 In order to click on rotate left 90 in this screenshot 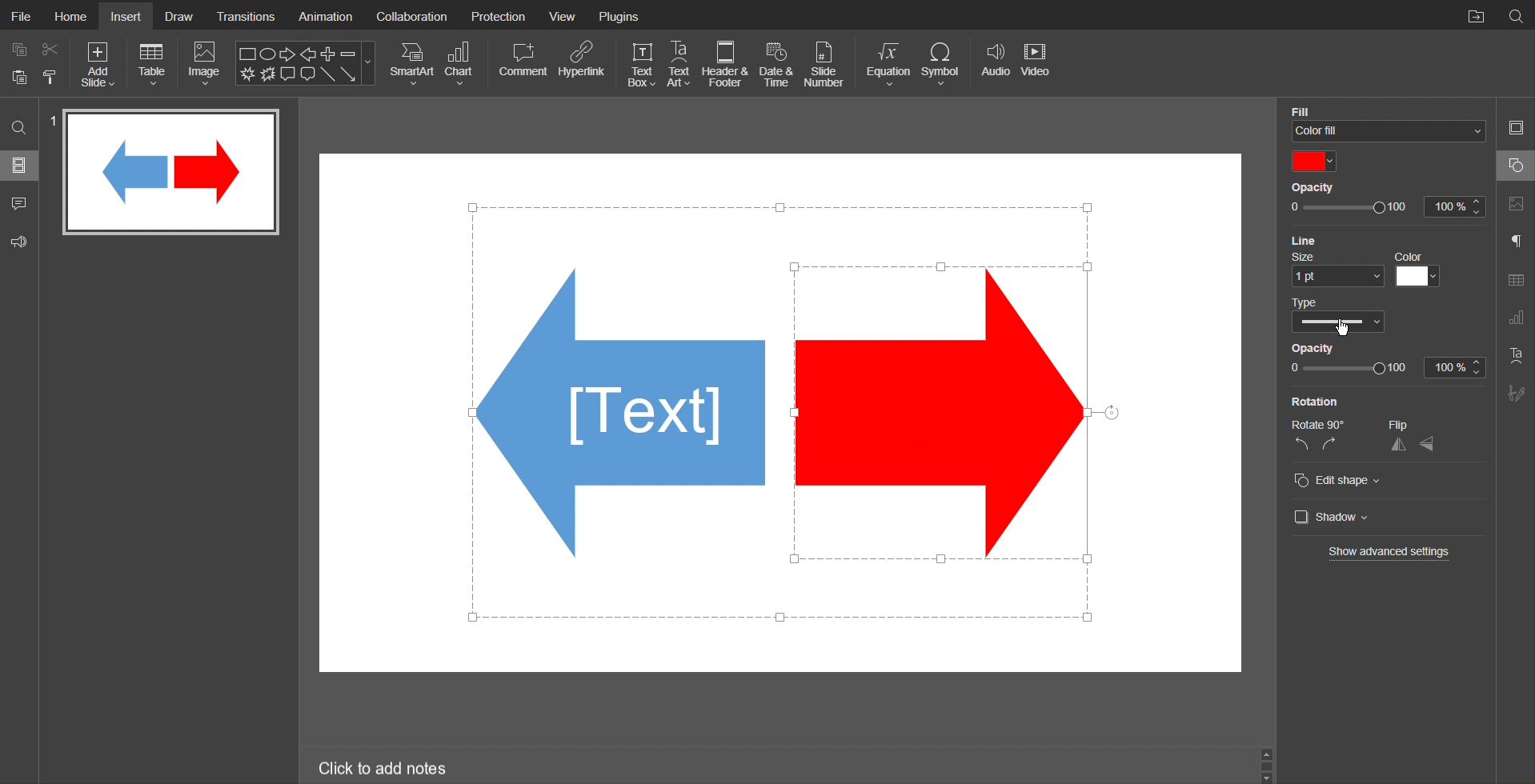, I will do `click(1298, 447)`.